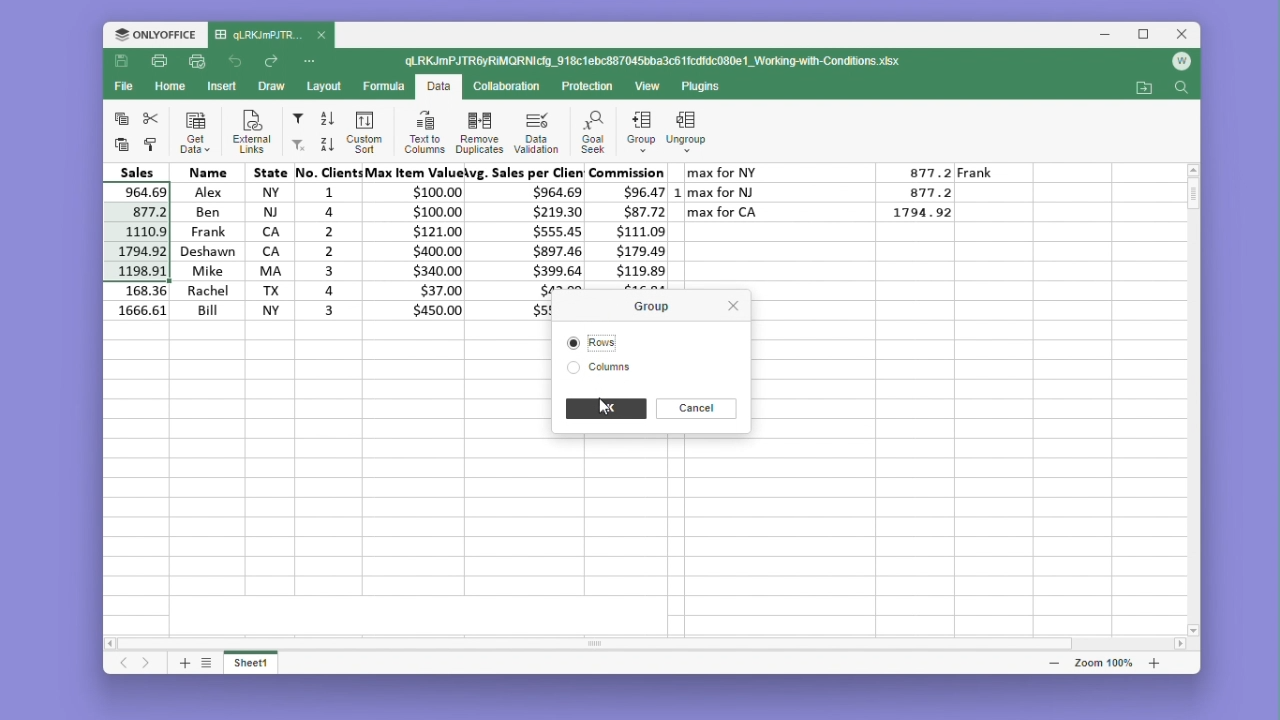  I want to click on file name, so click(271, 36).